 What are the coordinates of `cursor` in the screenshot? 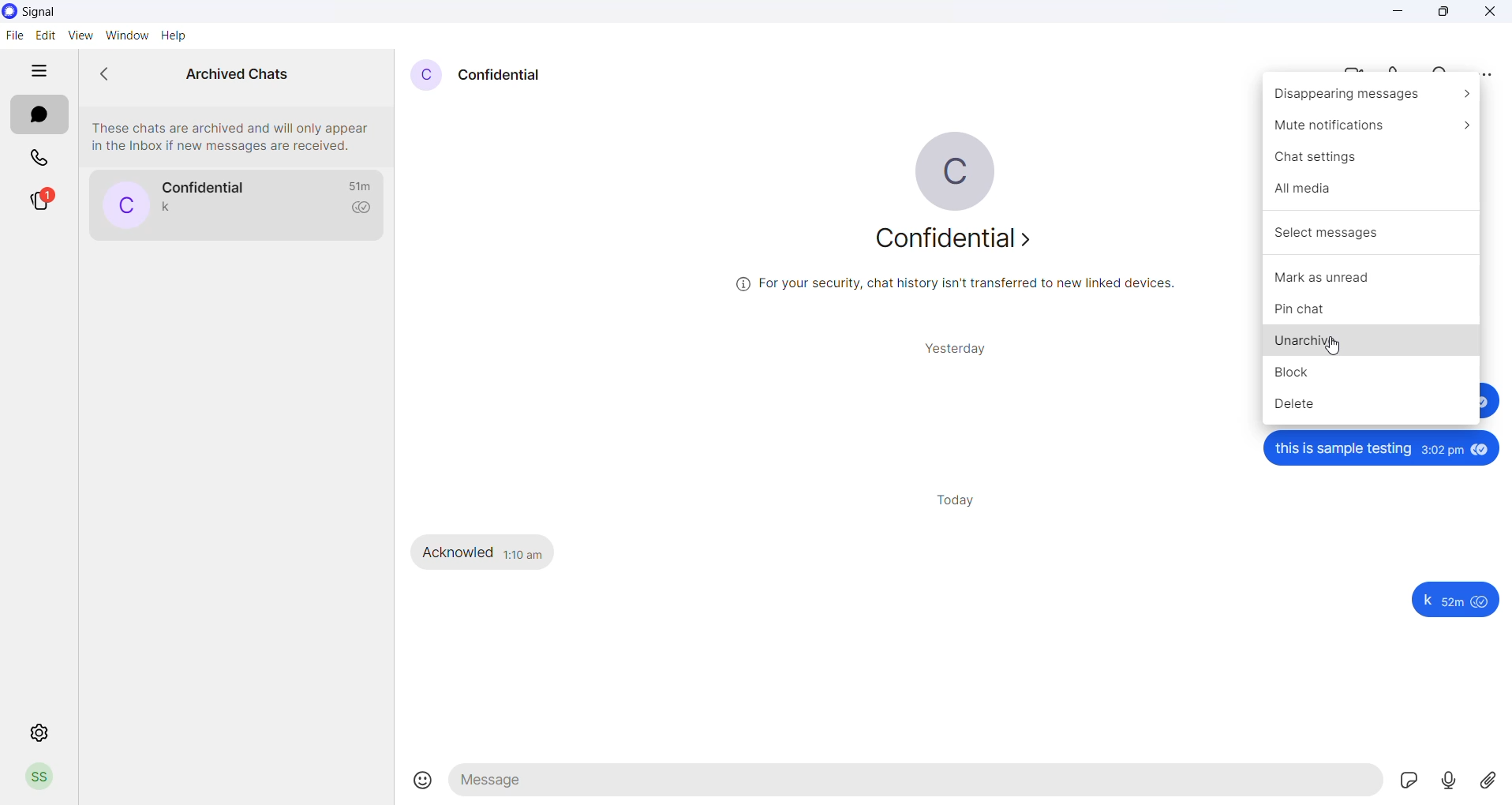 It's located at (1338, 349).